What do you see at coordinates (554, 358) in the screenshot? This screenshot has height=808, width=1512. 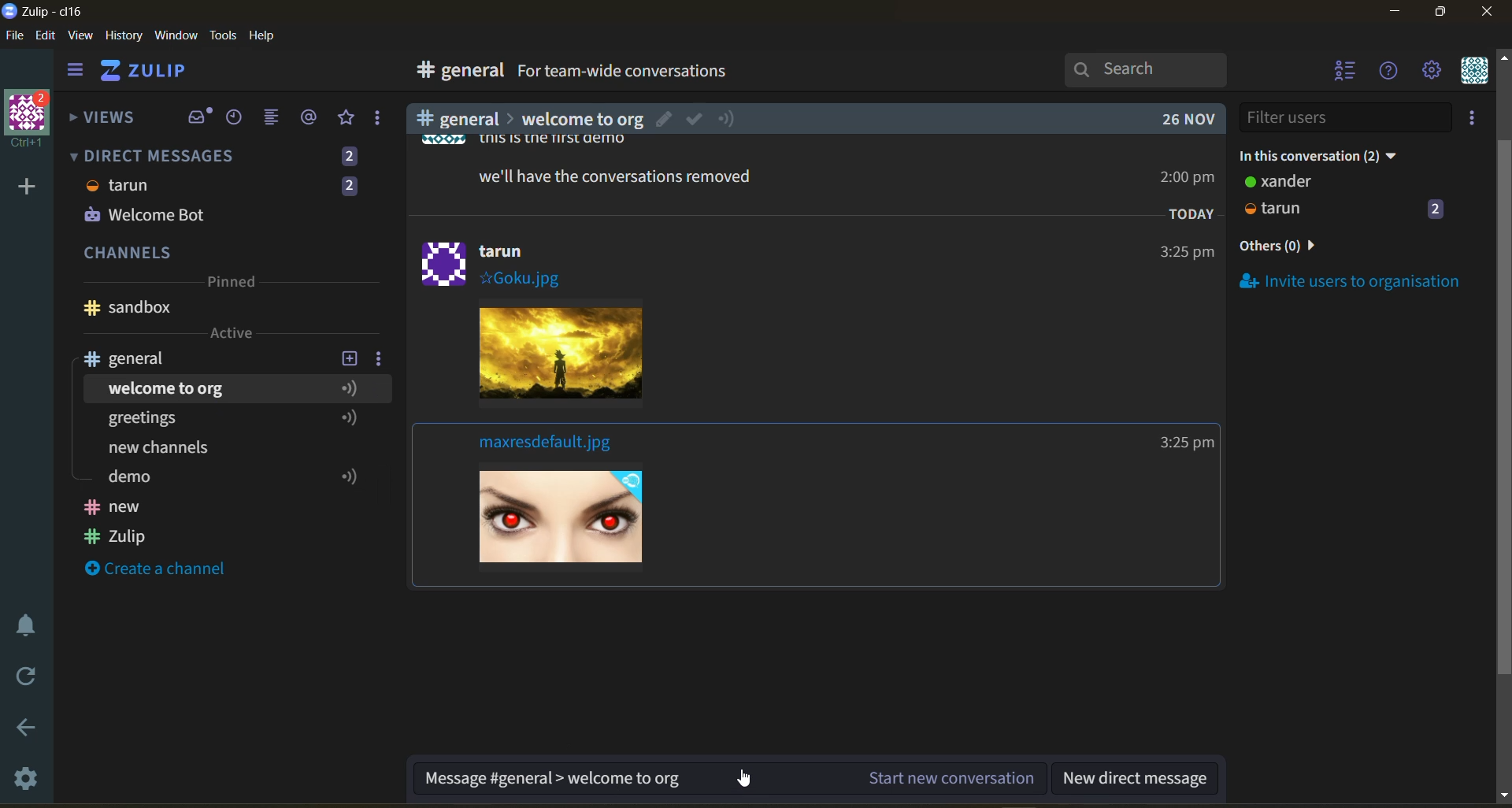 I see `` at bounding box center [554, 358].